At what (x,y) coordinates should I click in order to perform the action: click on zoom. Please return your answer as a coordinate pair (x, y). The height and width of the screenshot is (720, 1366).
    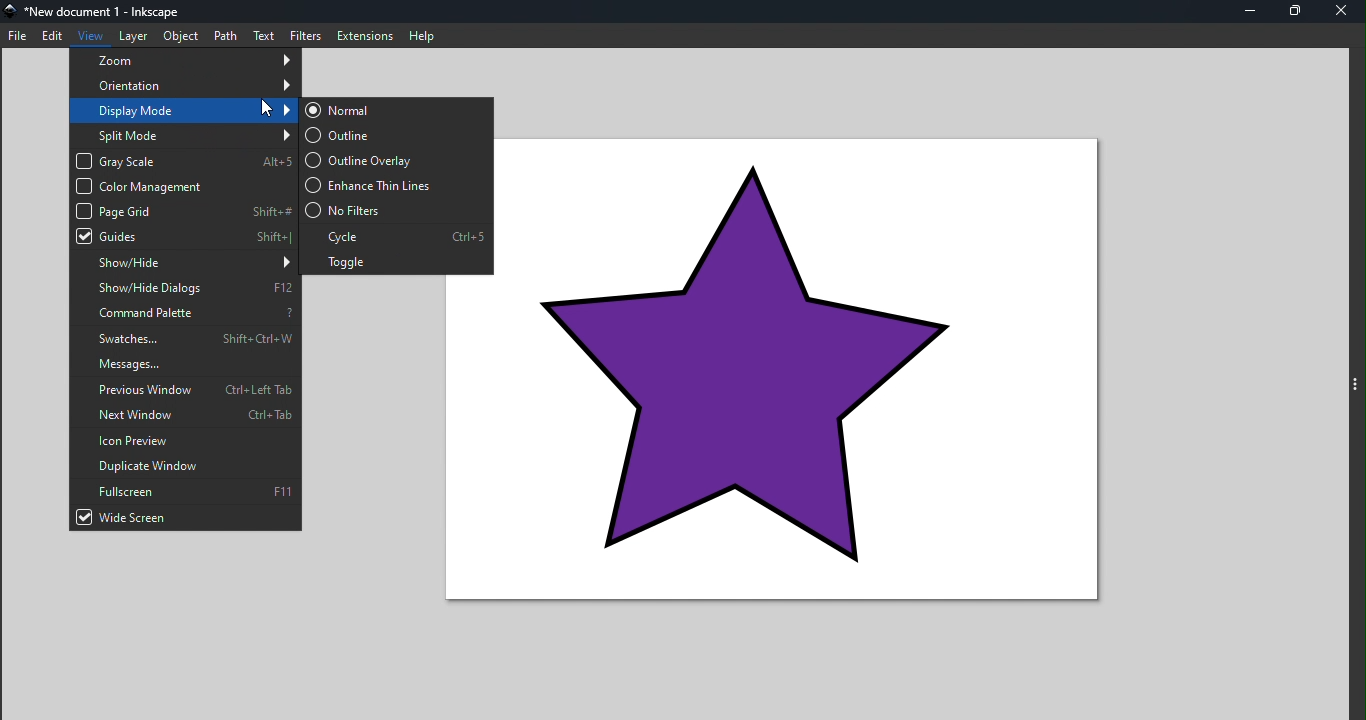
    Looking at the image, I should click on (186, 59).